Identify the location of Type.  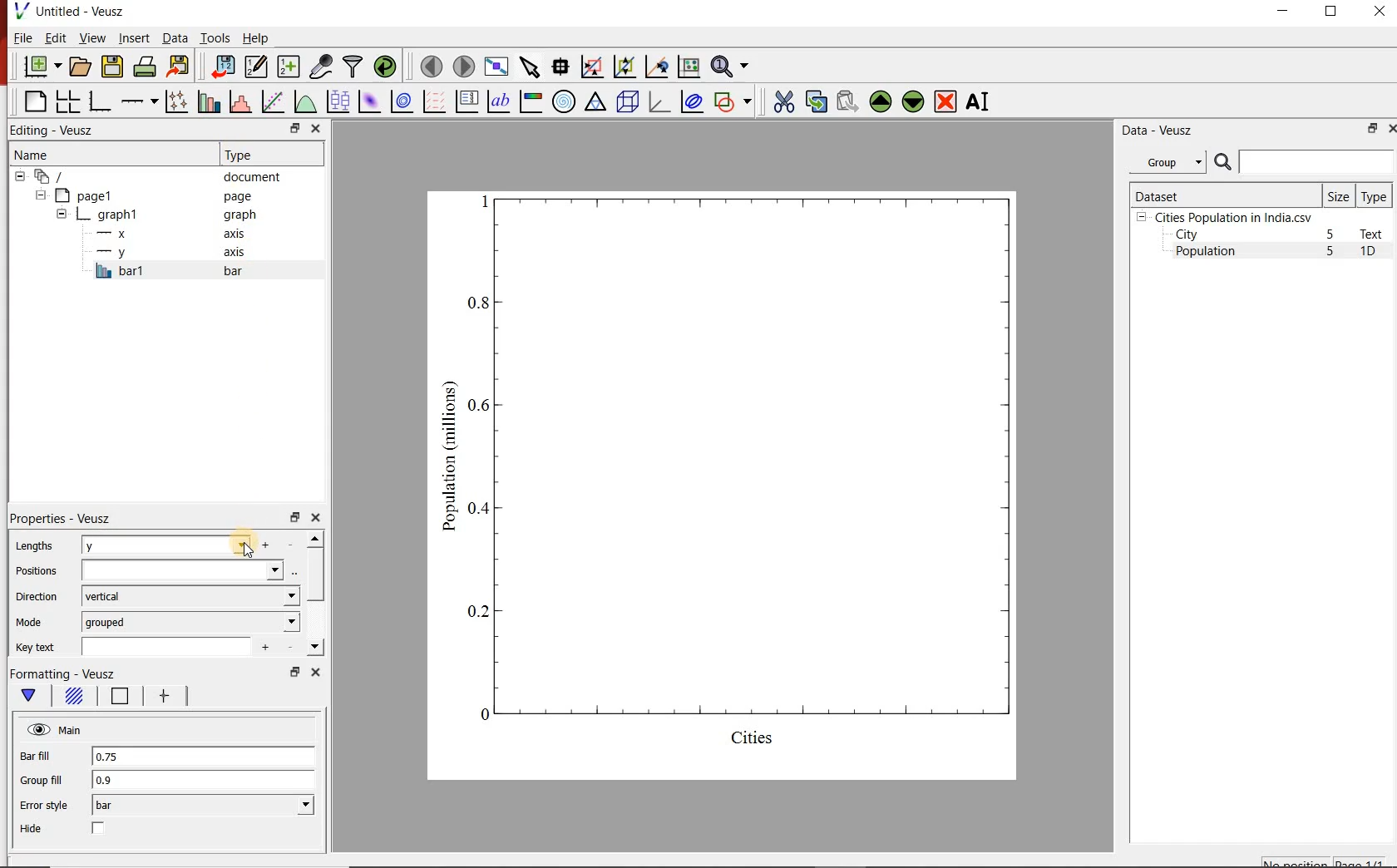
(1375, 195).